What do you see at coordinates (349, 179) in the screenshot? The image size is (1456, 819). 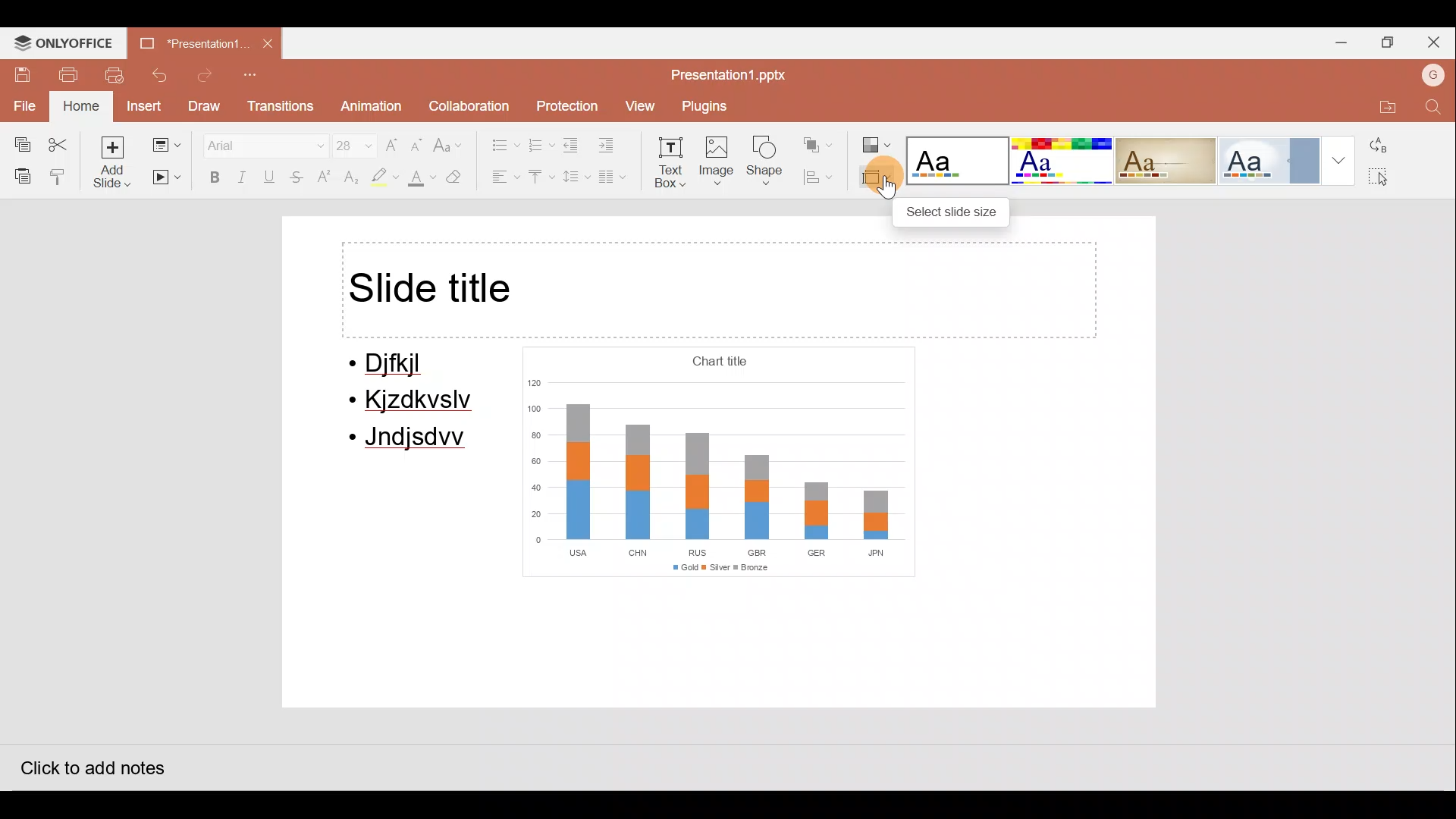 I see `Subscript` at bounding box center [349, 179].